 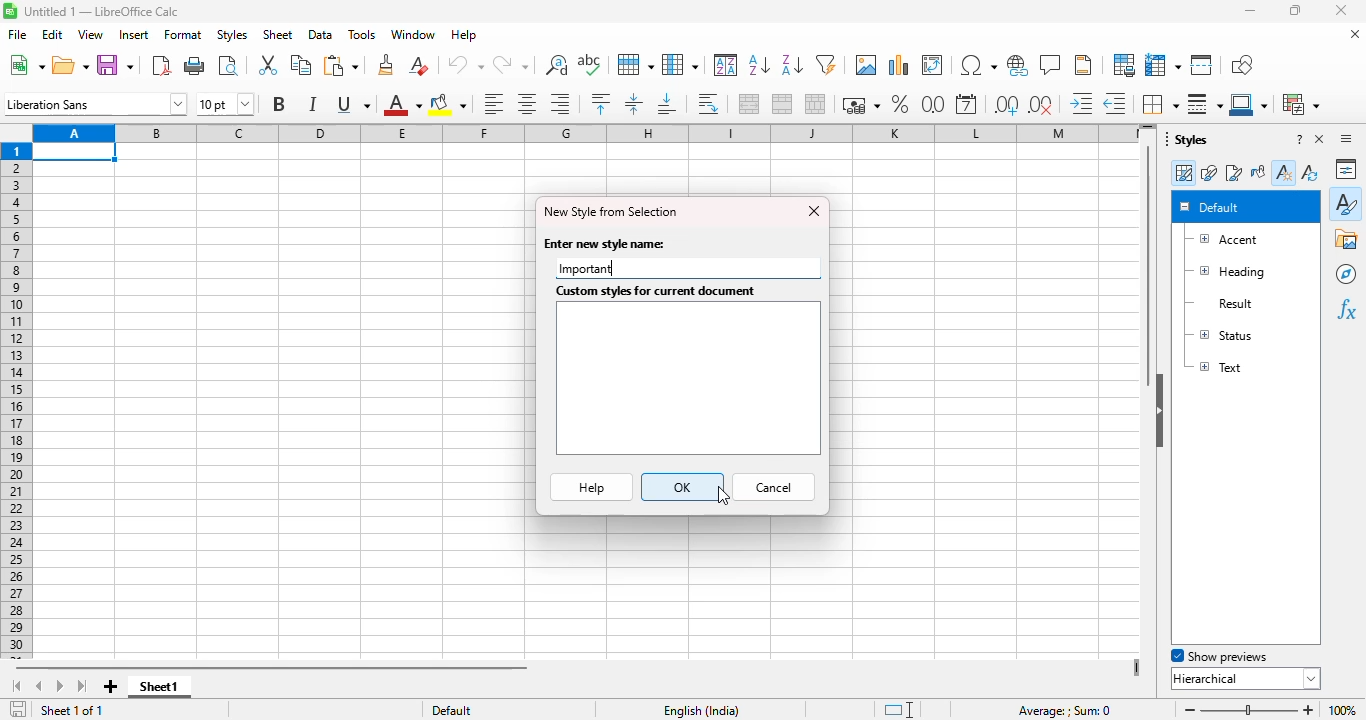 What do you see at coordinates (759, 64) in the screenshot?
I see `sort ascending` at bounding box center [759, 64].